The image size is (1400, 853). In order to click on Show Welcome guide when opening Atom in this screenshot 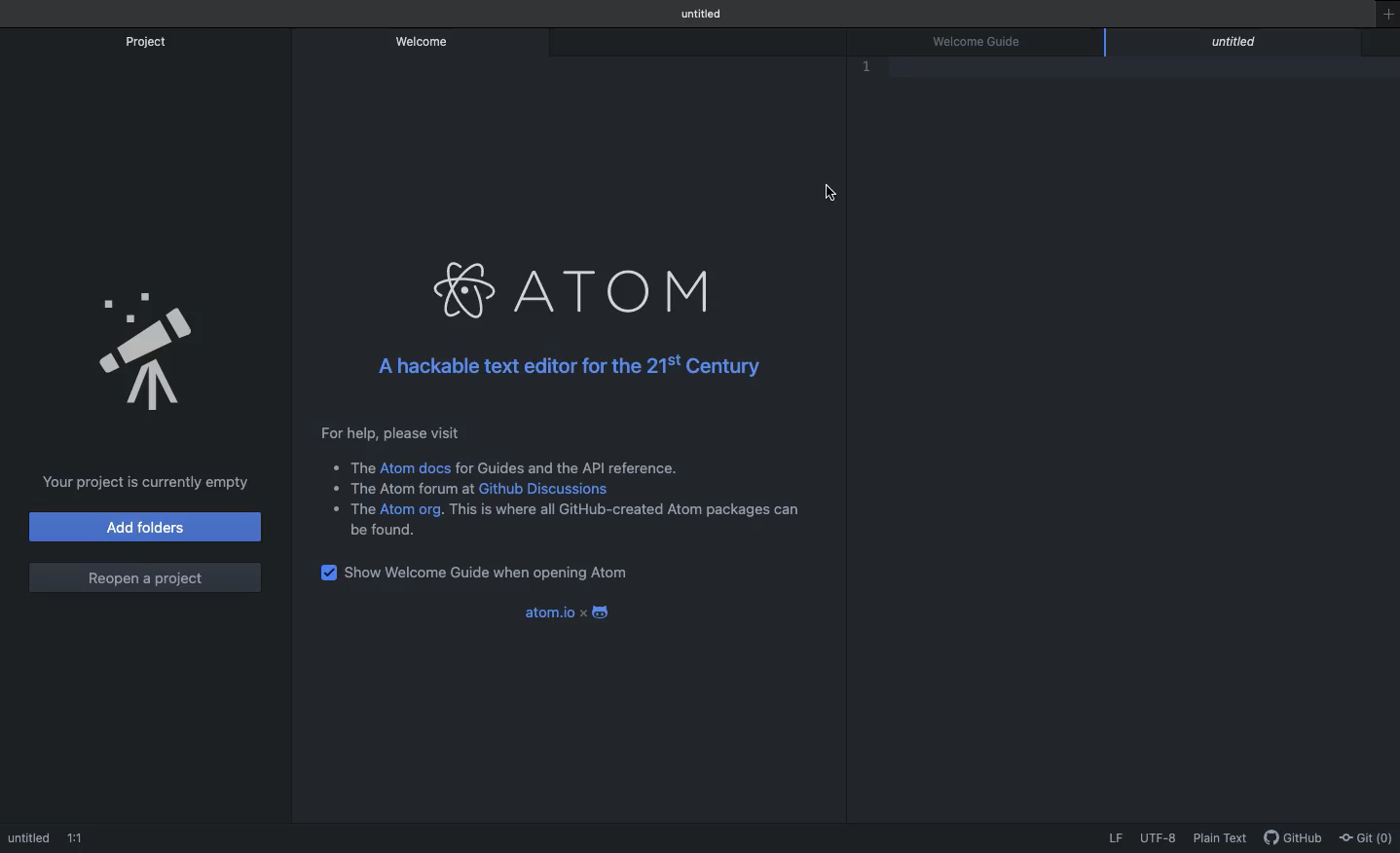, I will do `click(495, 574)`.